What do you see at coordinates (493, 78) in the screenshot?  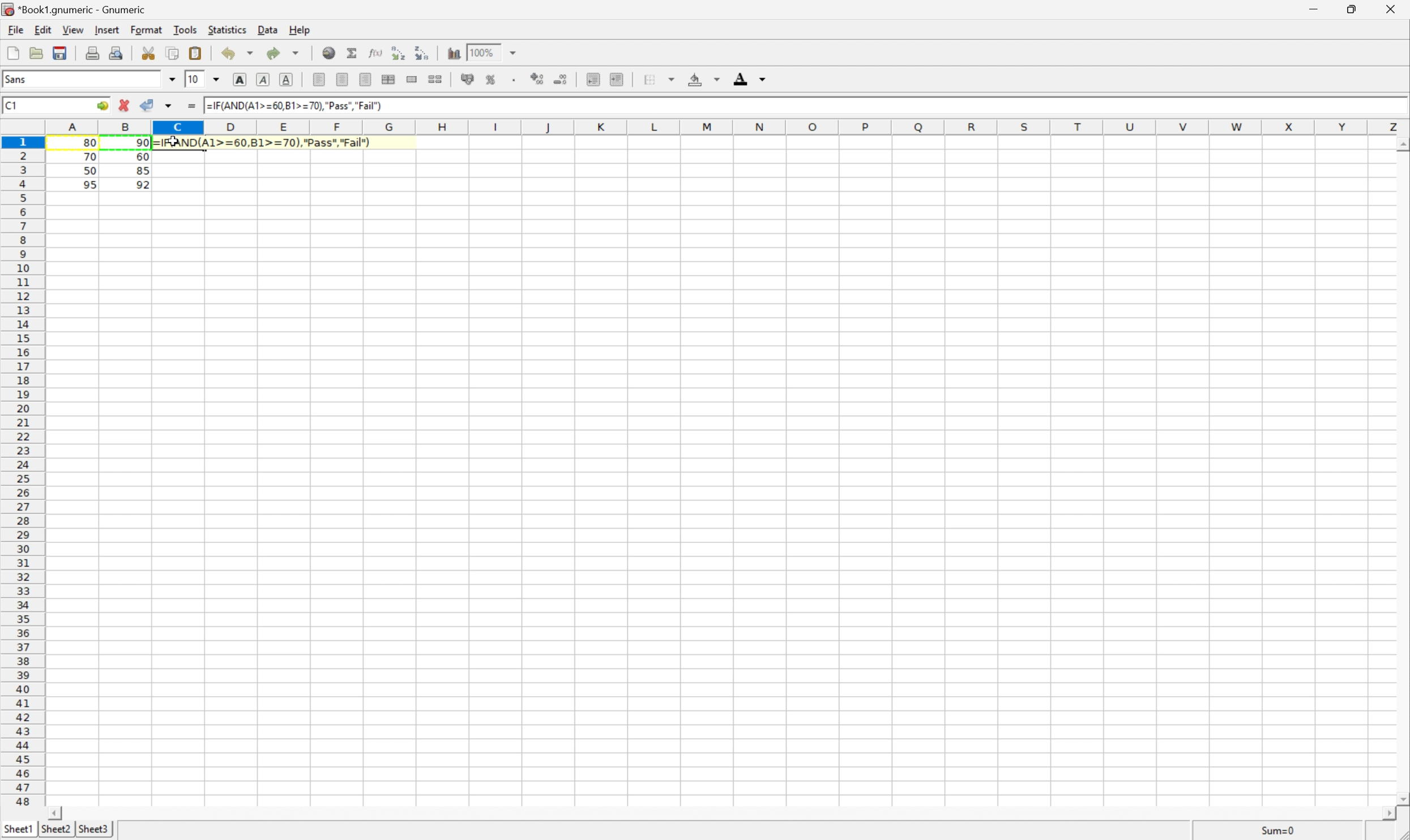 I see `Format the selection as percentage` at bounding box center [493, 78].